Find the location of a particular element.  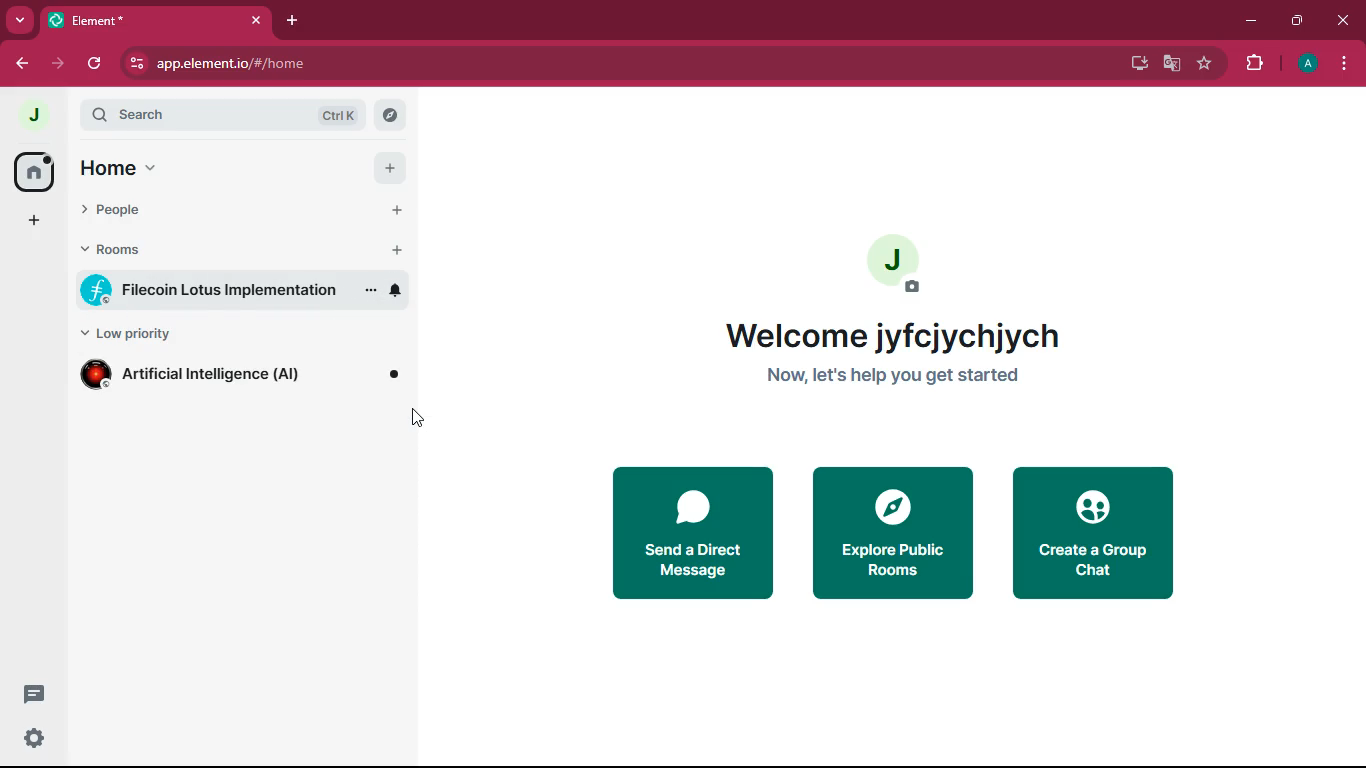

back is located at coordinates (21, 64).